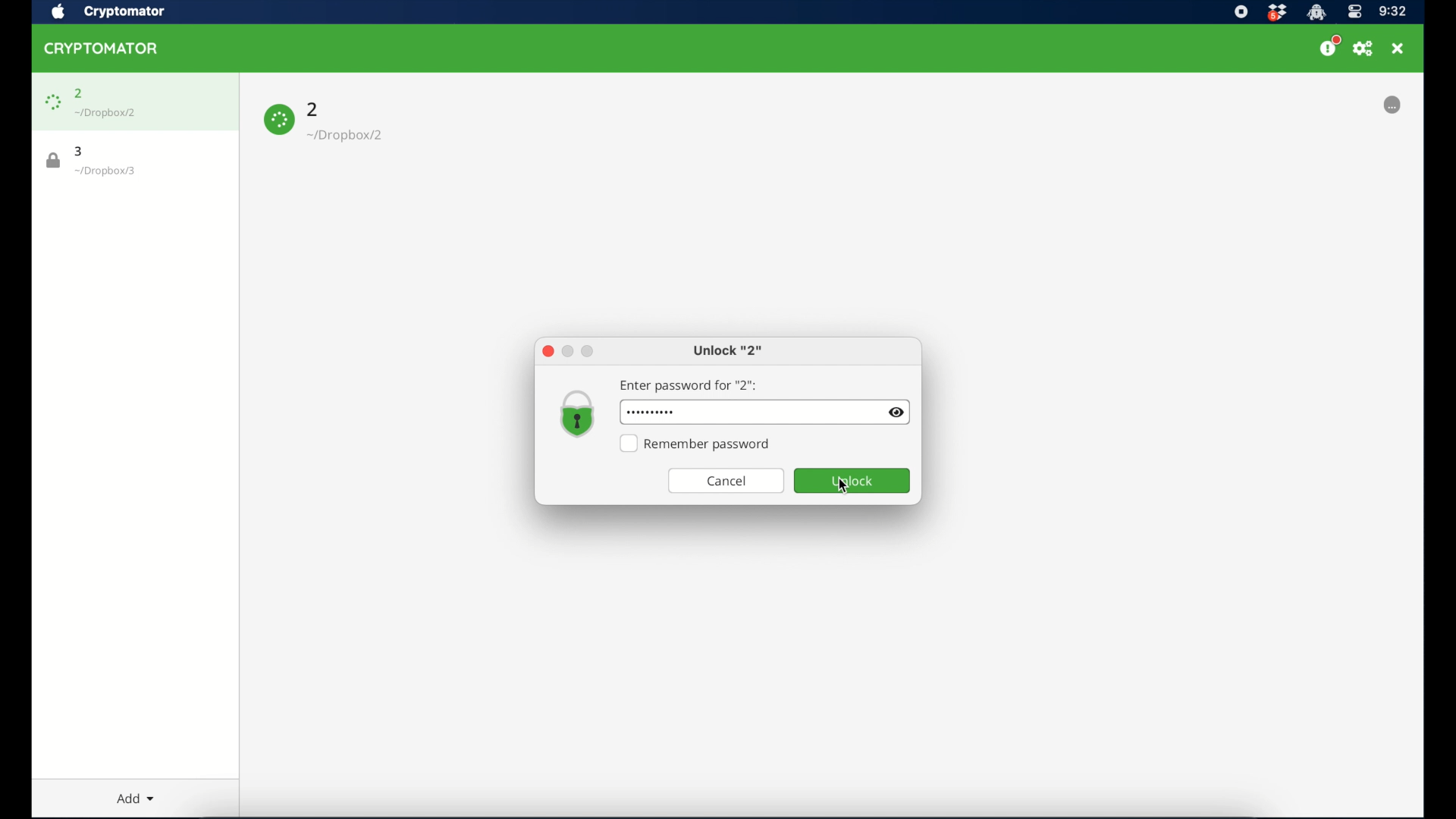 The width and height of the screenshot is (1456, 819). What do you see at coordinates (566, 351) in the screenshot?
I see `minimize` at bounding box center [566, 351].